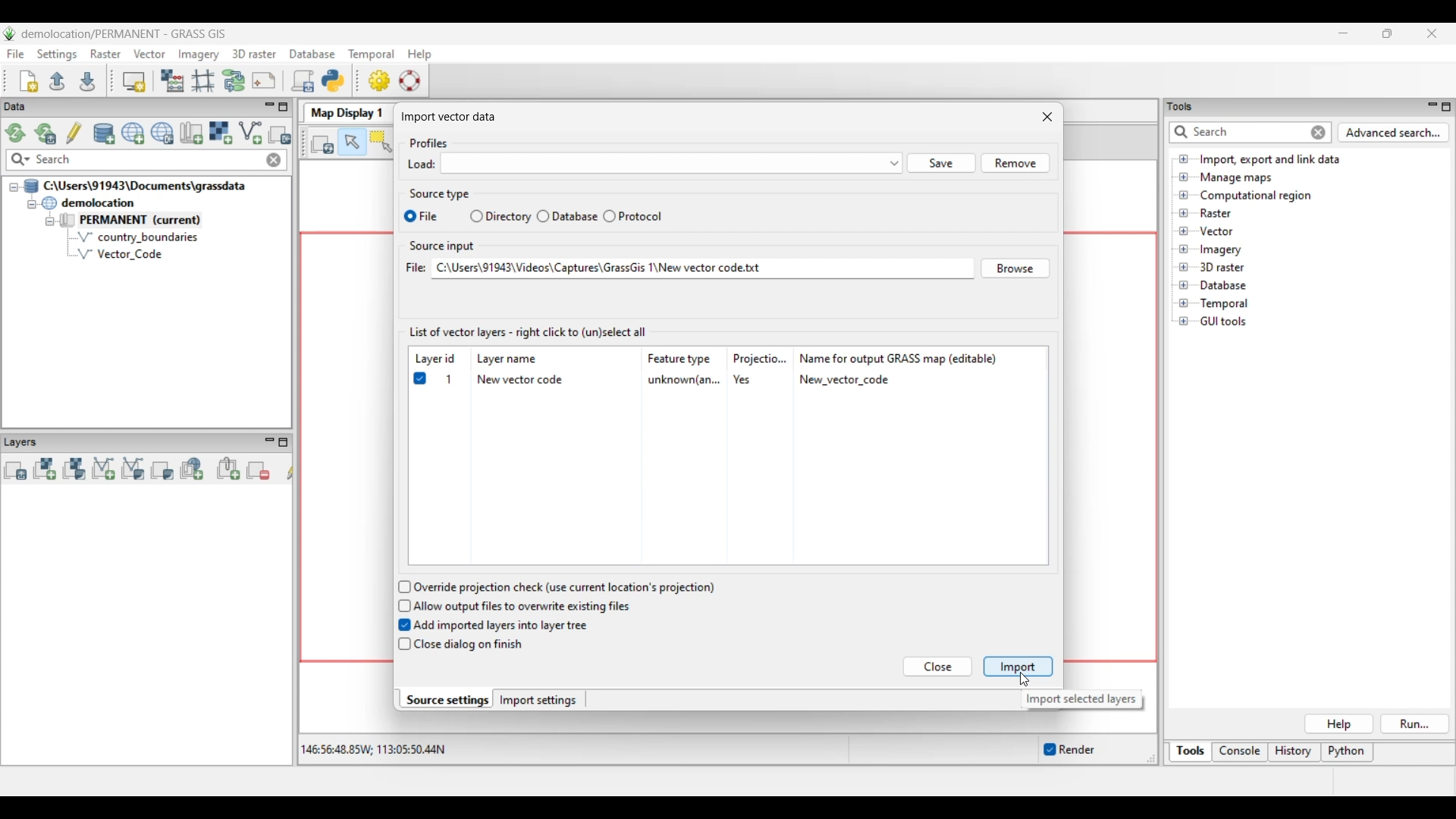  What do you see at coordinates (264, 81) in the screenshot?
I see `Cartographic composer` at bounding box center [264, 81].